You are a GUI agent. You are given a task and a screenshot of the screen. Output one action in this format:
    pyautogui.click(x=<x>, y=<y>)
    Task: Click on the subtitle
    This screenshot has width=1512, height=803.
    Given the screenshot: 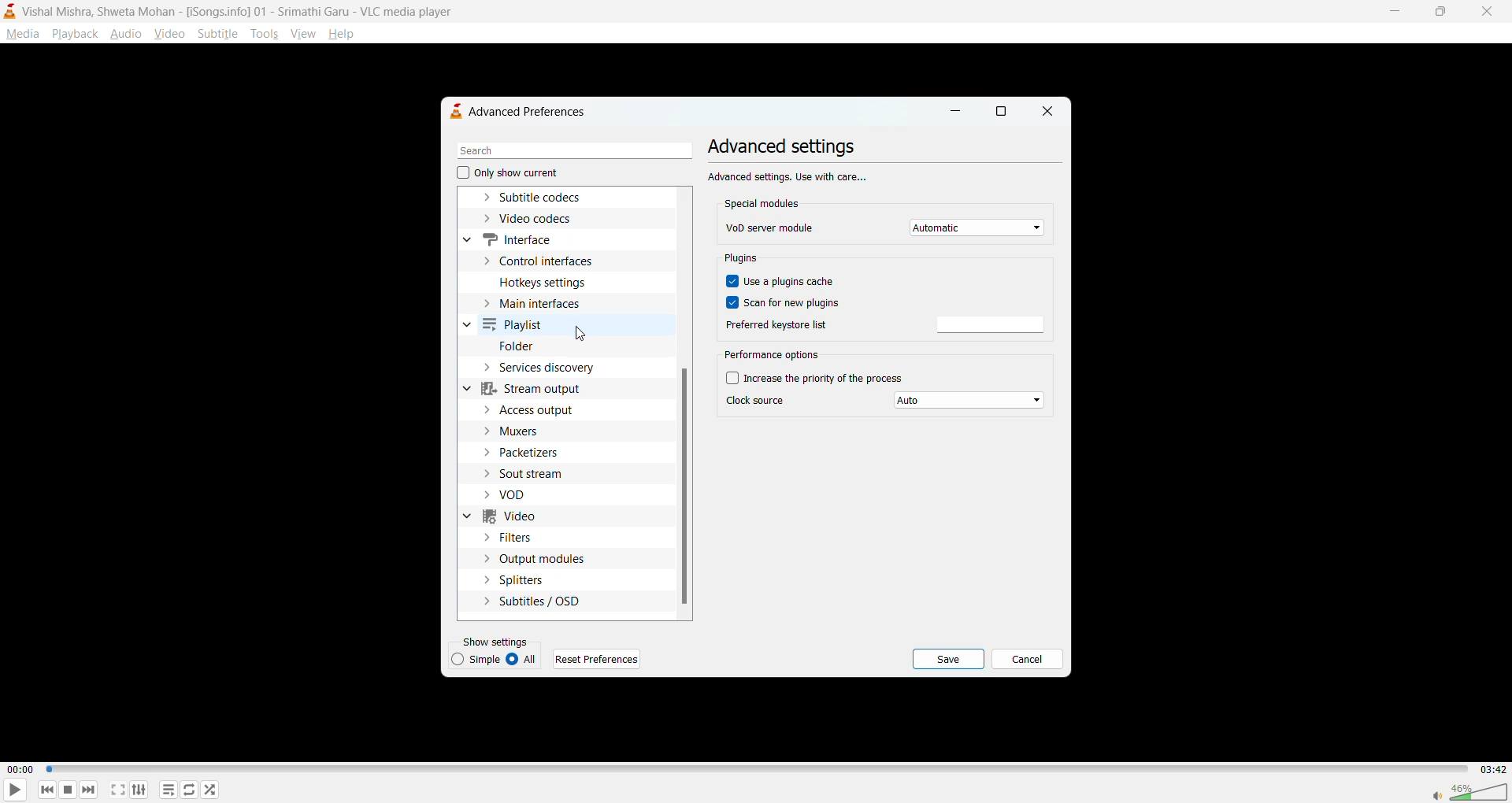 What is the action you would take?
    pyautogui.click(x=218, y=33)
    